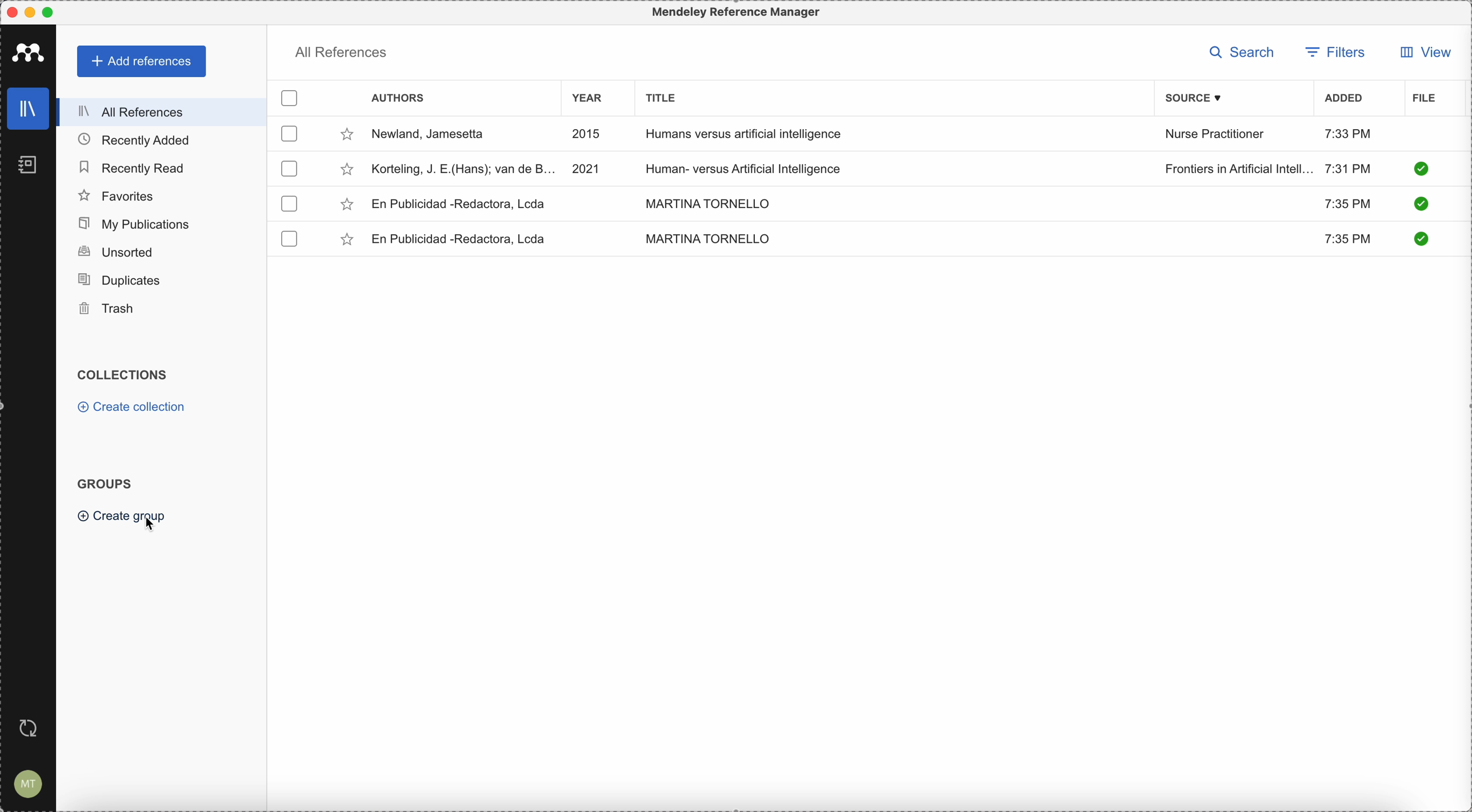 This screenshot has width=1472, height=812. I want to click on favorite, so click(346, 205).